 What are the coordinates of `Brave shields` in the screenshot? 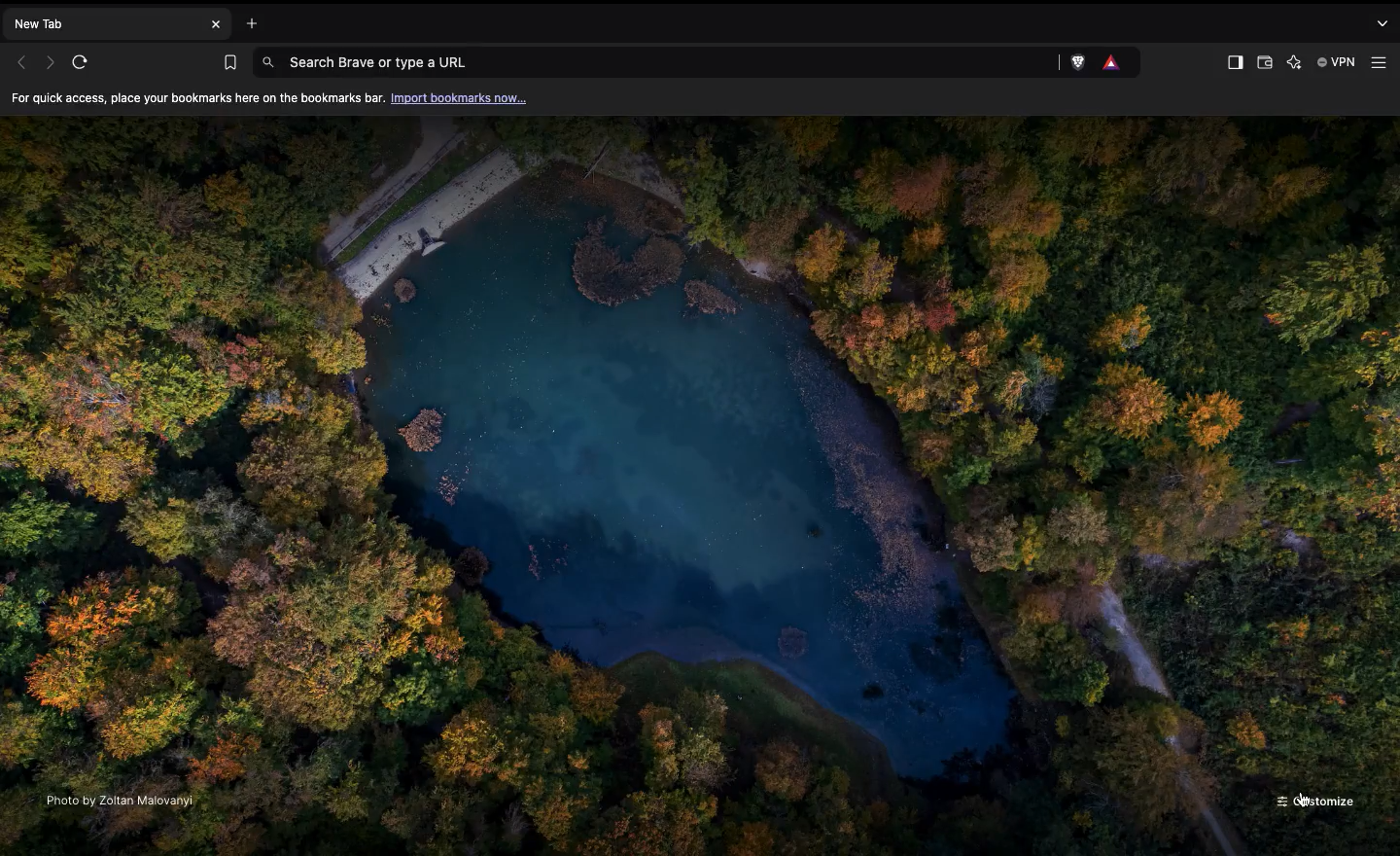 It's located at (1080, 65).